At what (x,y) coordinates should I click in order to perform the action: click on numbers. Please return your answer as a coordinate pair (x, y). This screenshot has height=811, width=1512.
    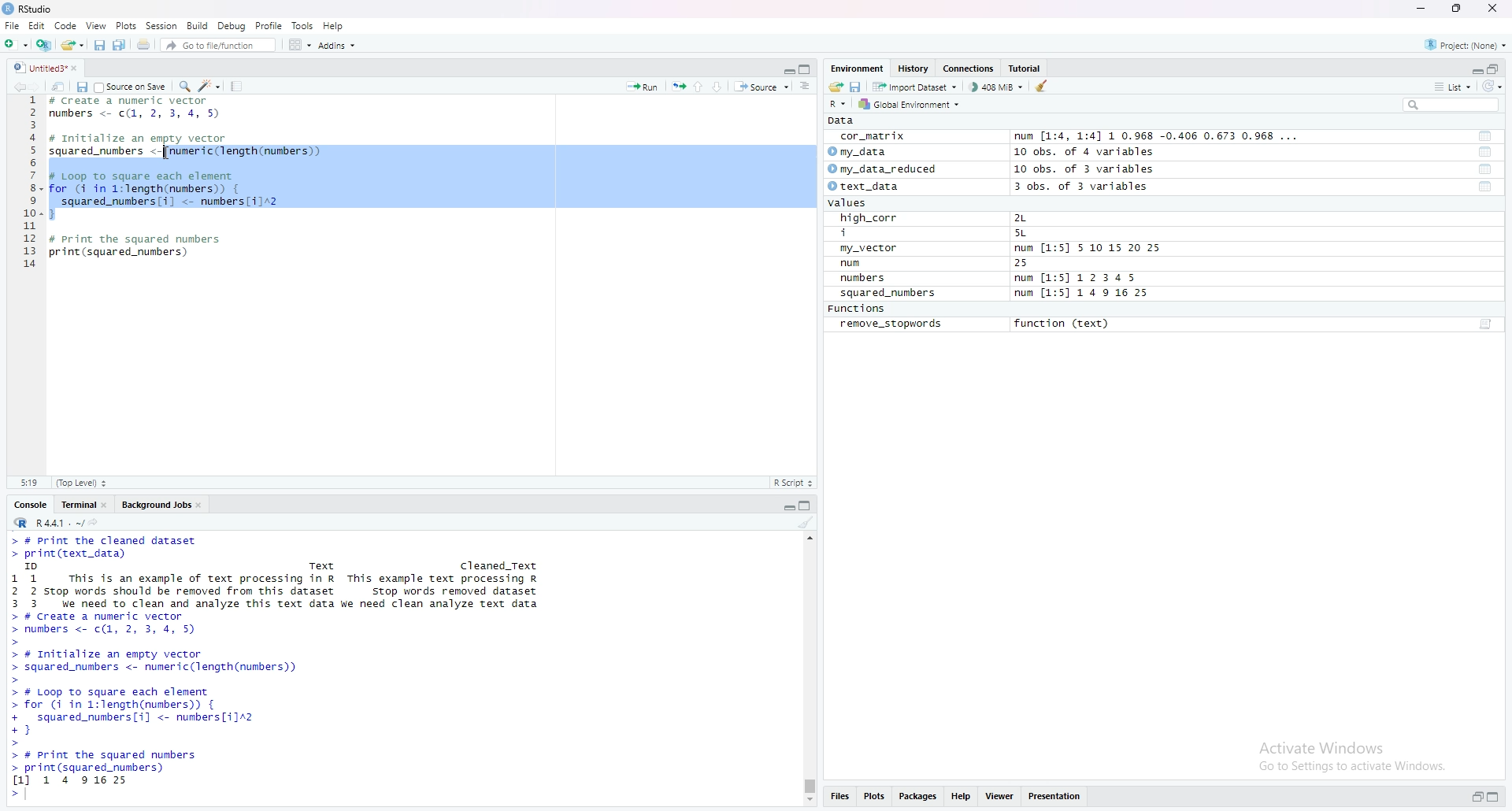
    Looking at the image, I should click on (866, 279).